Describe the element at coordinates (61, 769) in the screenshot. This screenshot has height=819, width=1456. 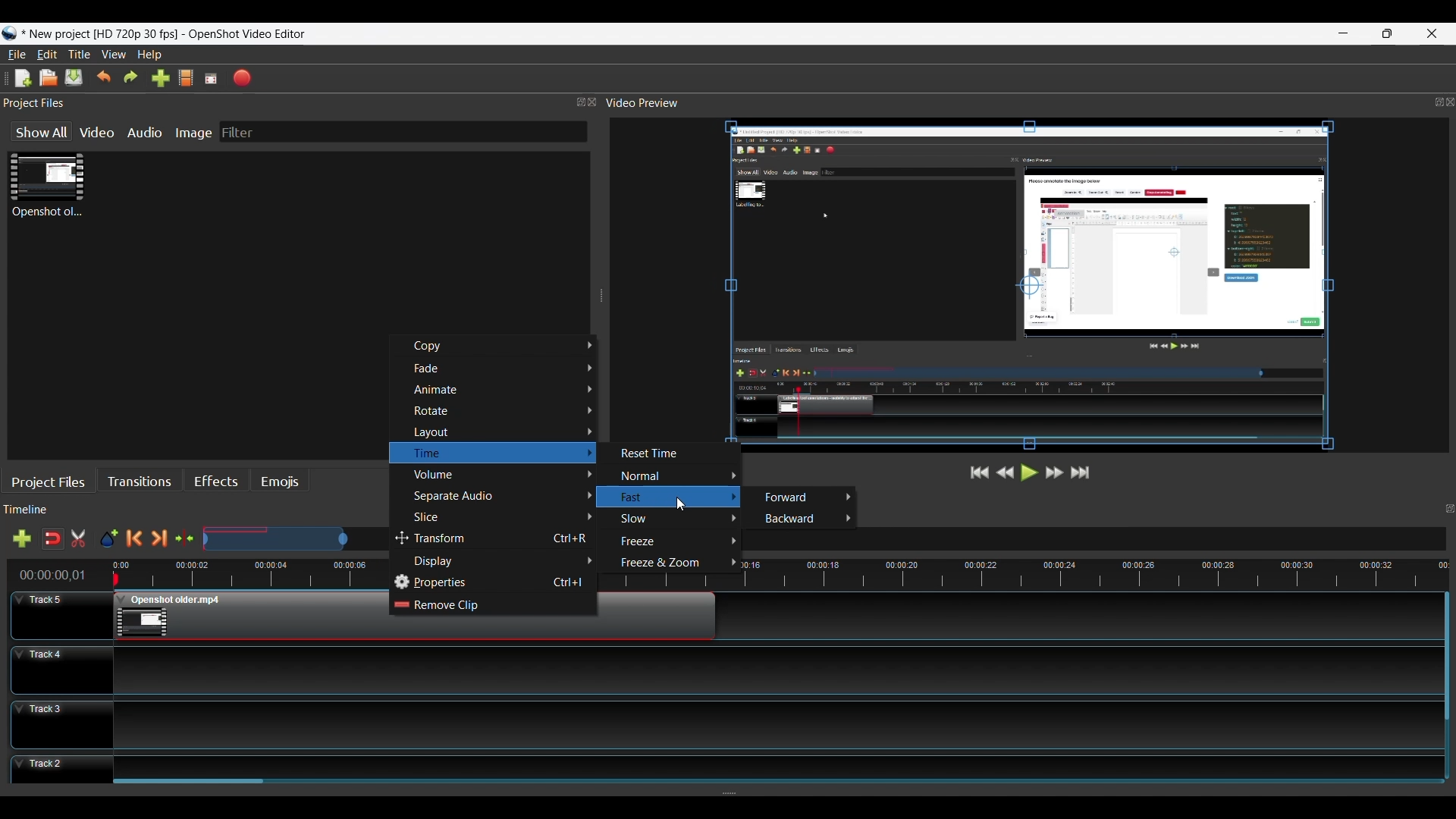
I see `Track Header` at that location.